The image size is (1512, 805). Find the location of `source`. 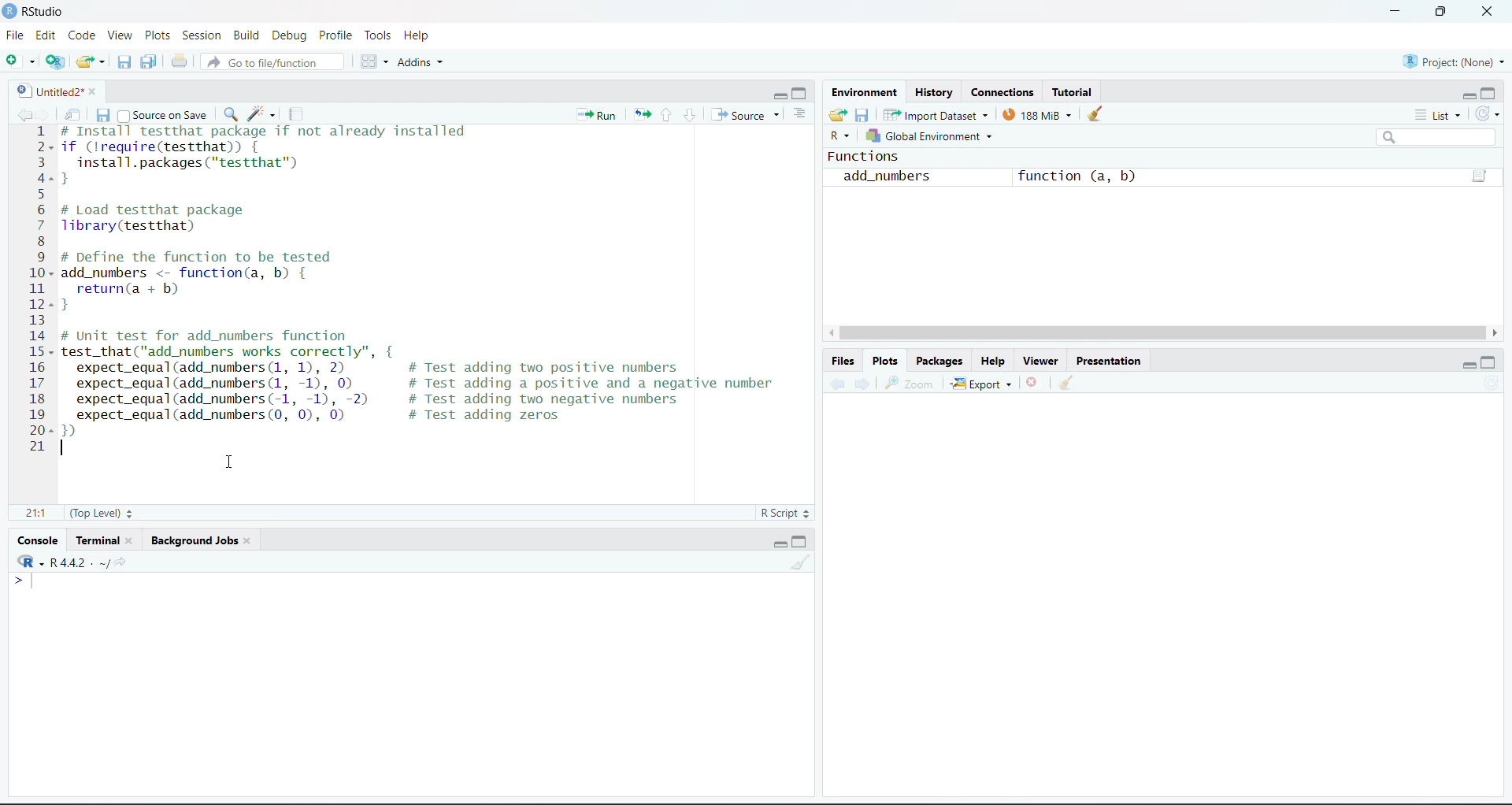

source is located at coordinates (738, 114).